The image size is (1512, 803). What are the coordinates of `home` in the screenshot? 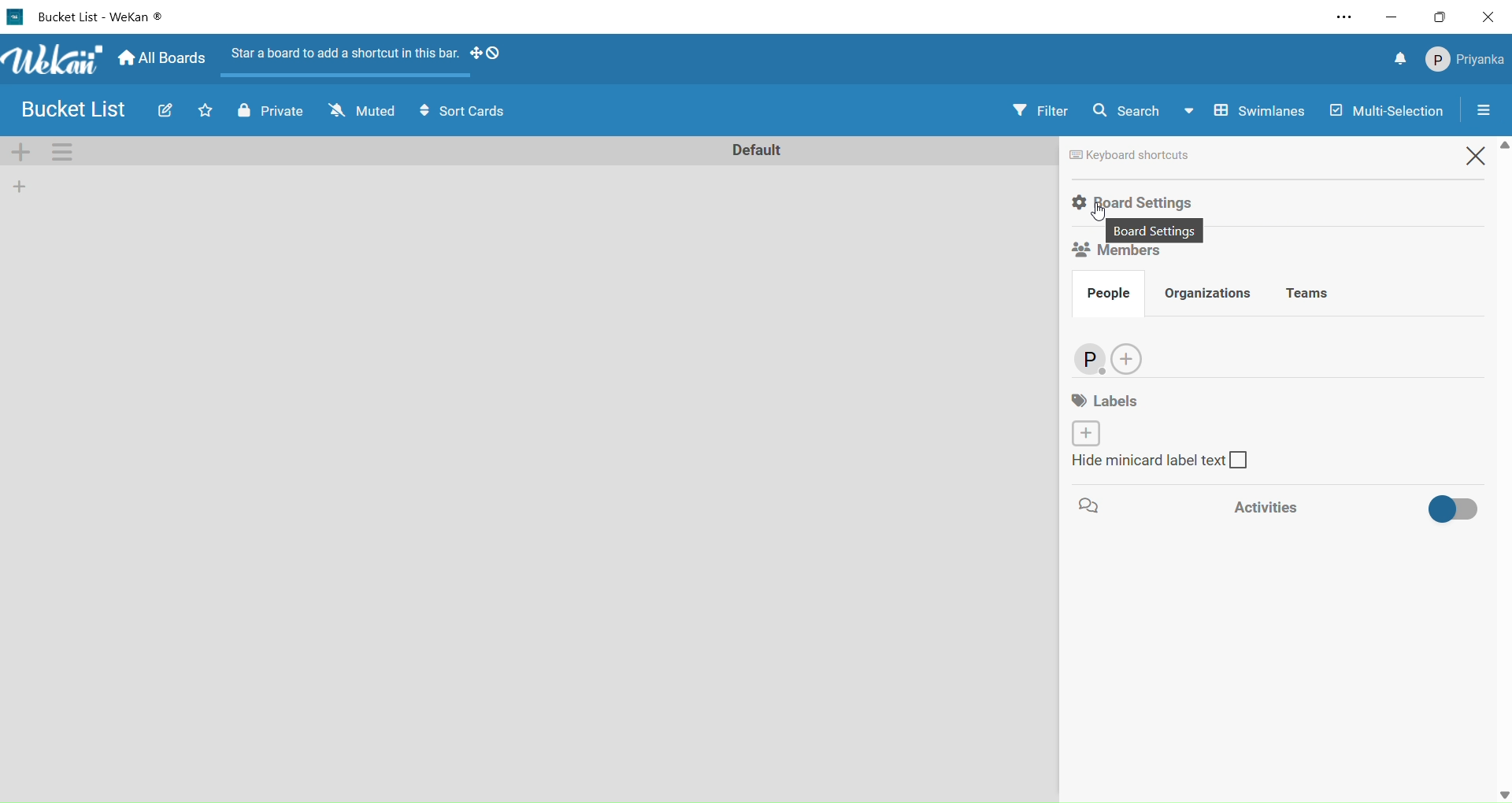 It's located at (164, 58).